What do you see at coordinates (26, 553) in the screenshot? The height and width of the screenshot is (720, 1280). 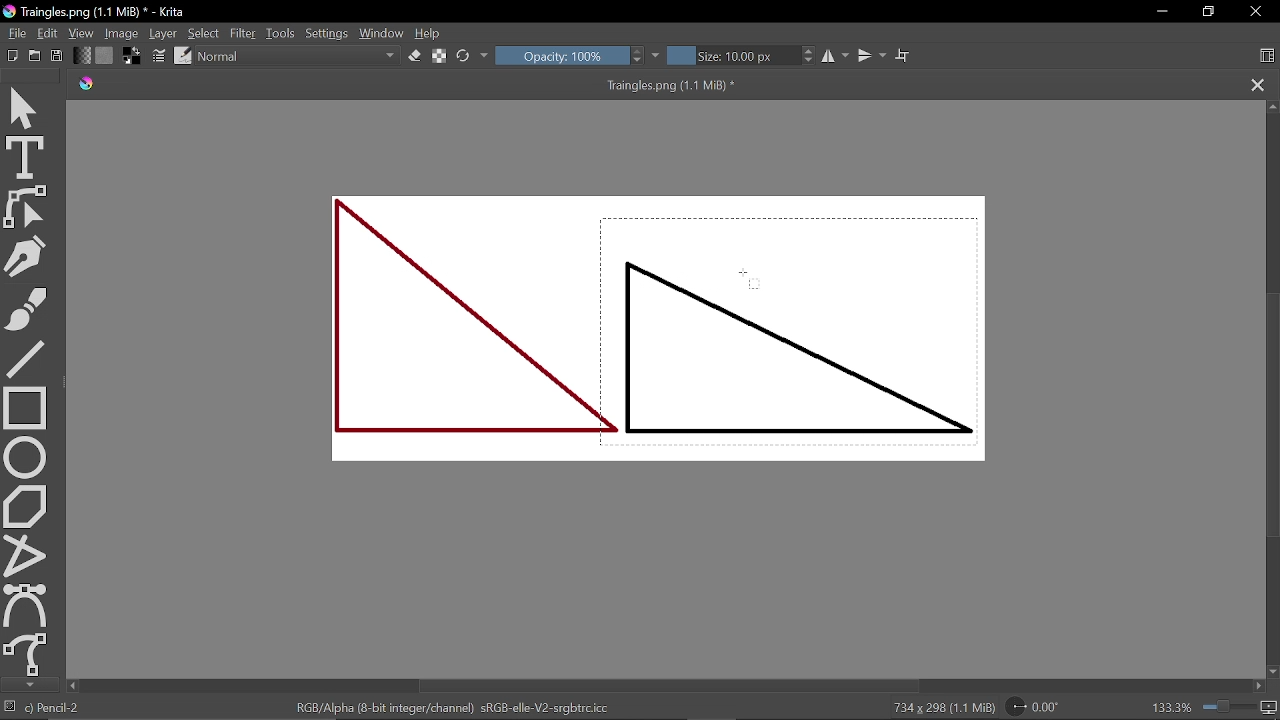 I see `Polyline tool` at bounding box center [26, 553].